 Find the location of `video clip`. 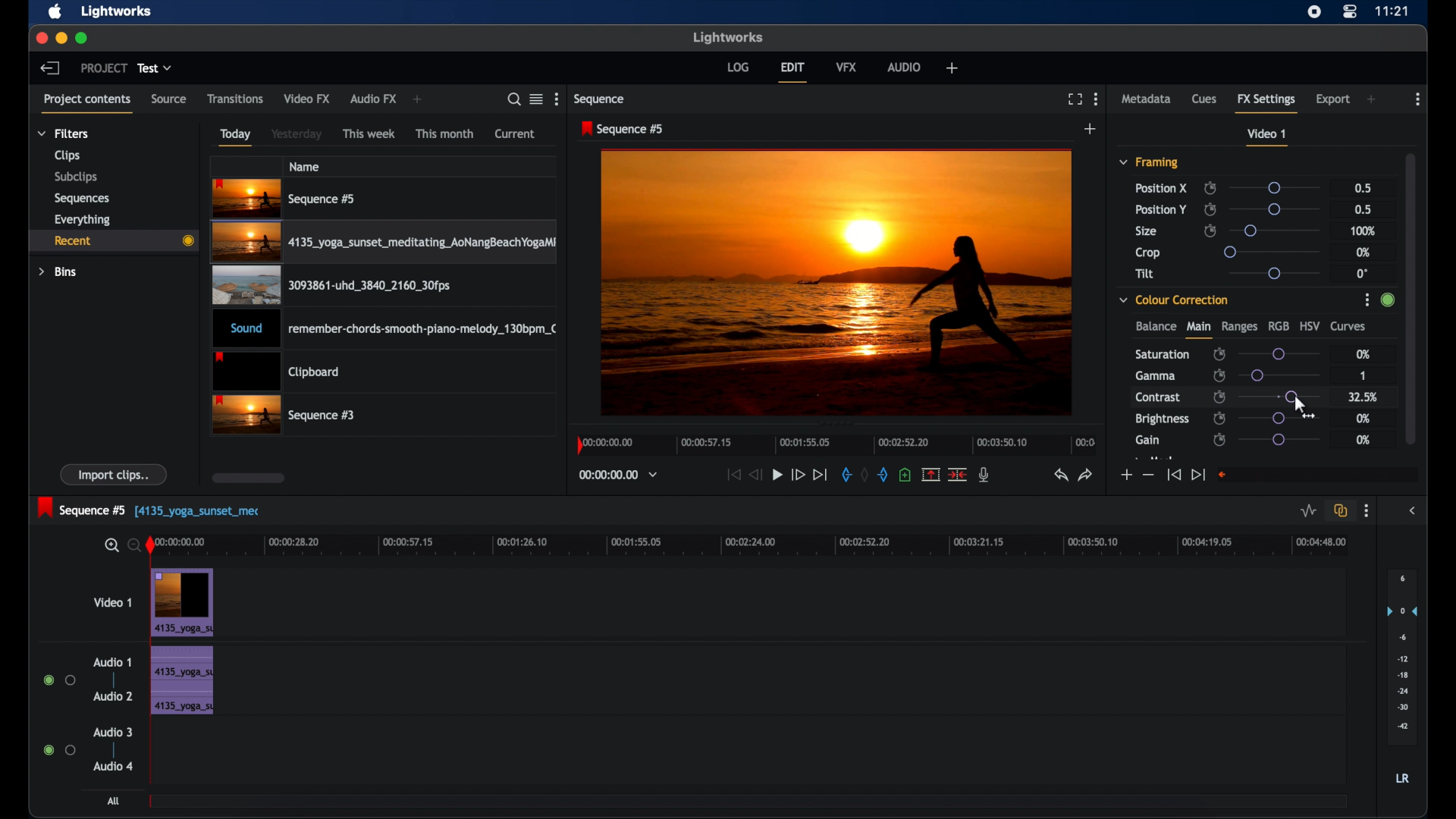

video clip is located at coordinates (285, 416).